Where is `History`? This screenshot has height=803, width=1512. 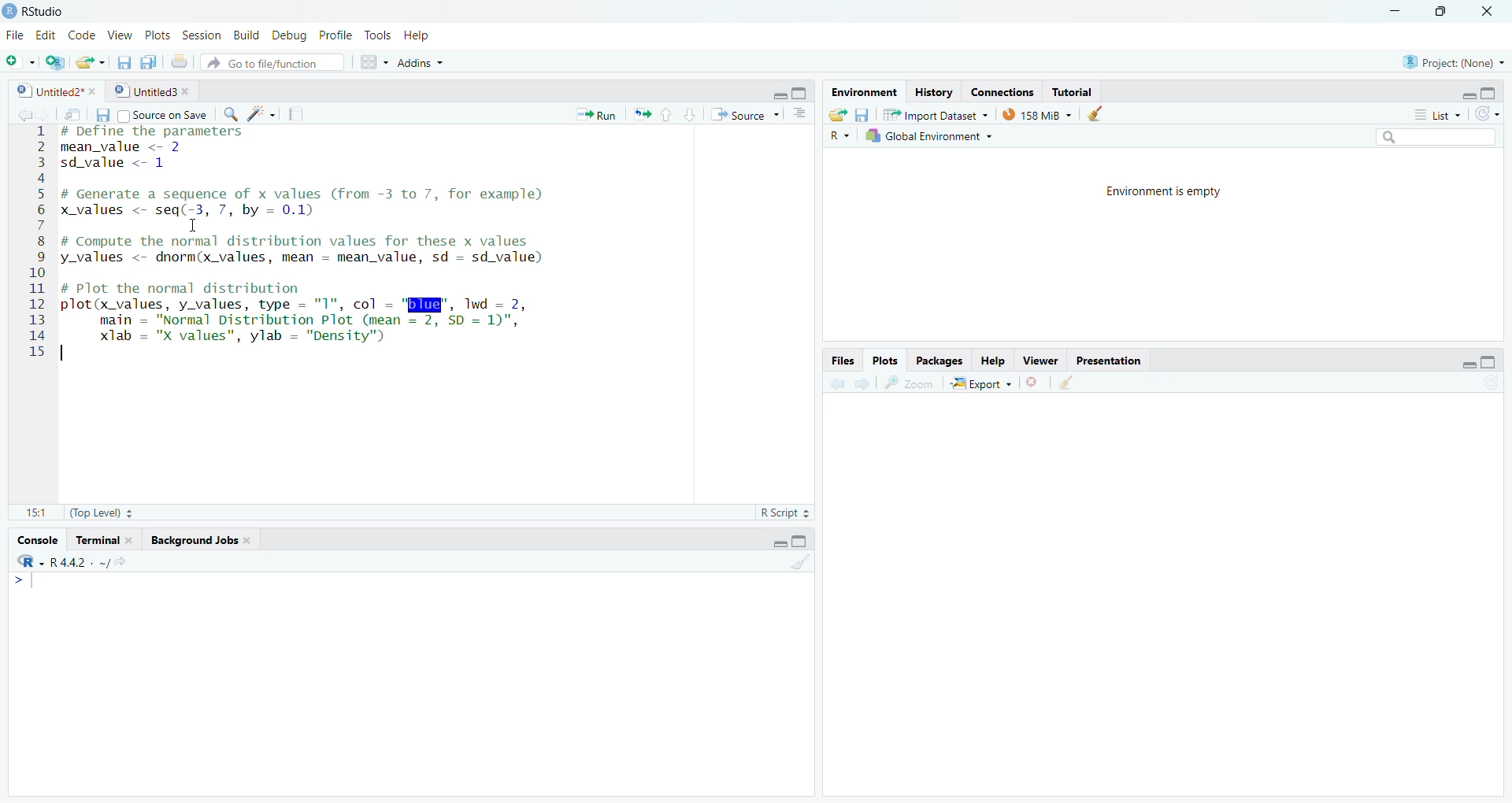
History is located at coordinates (932, 91).